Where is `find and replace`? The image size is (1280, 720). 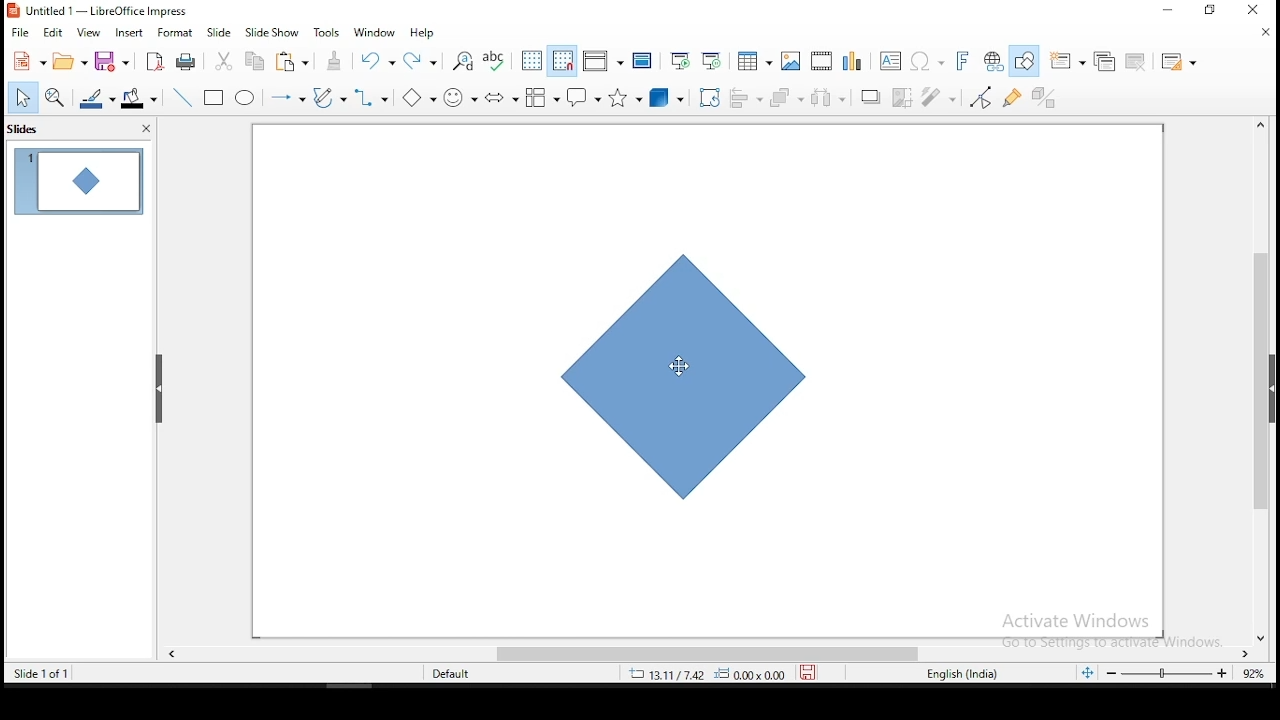
find and replace is located at coordinates (463, 59).